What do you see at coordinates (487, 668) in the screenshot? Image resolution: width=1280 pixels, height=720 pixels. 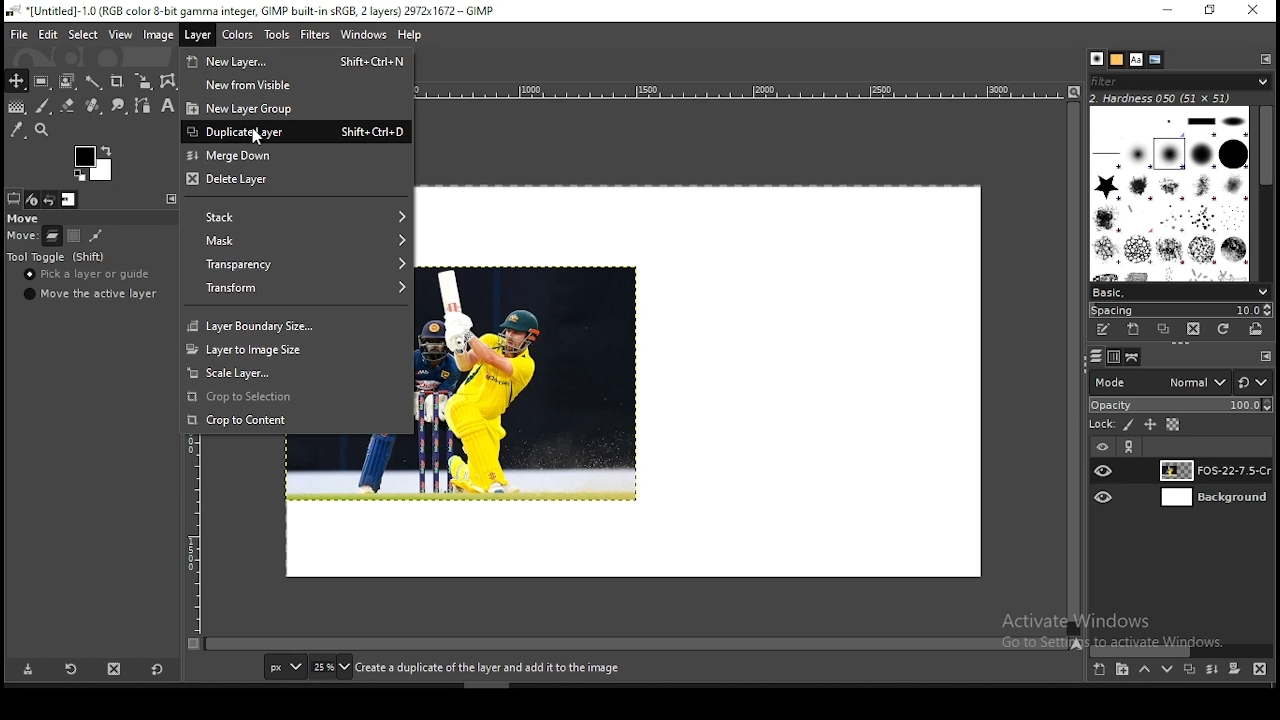 I see `text` at bounding box center [487, 668].